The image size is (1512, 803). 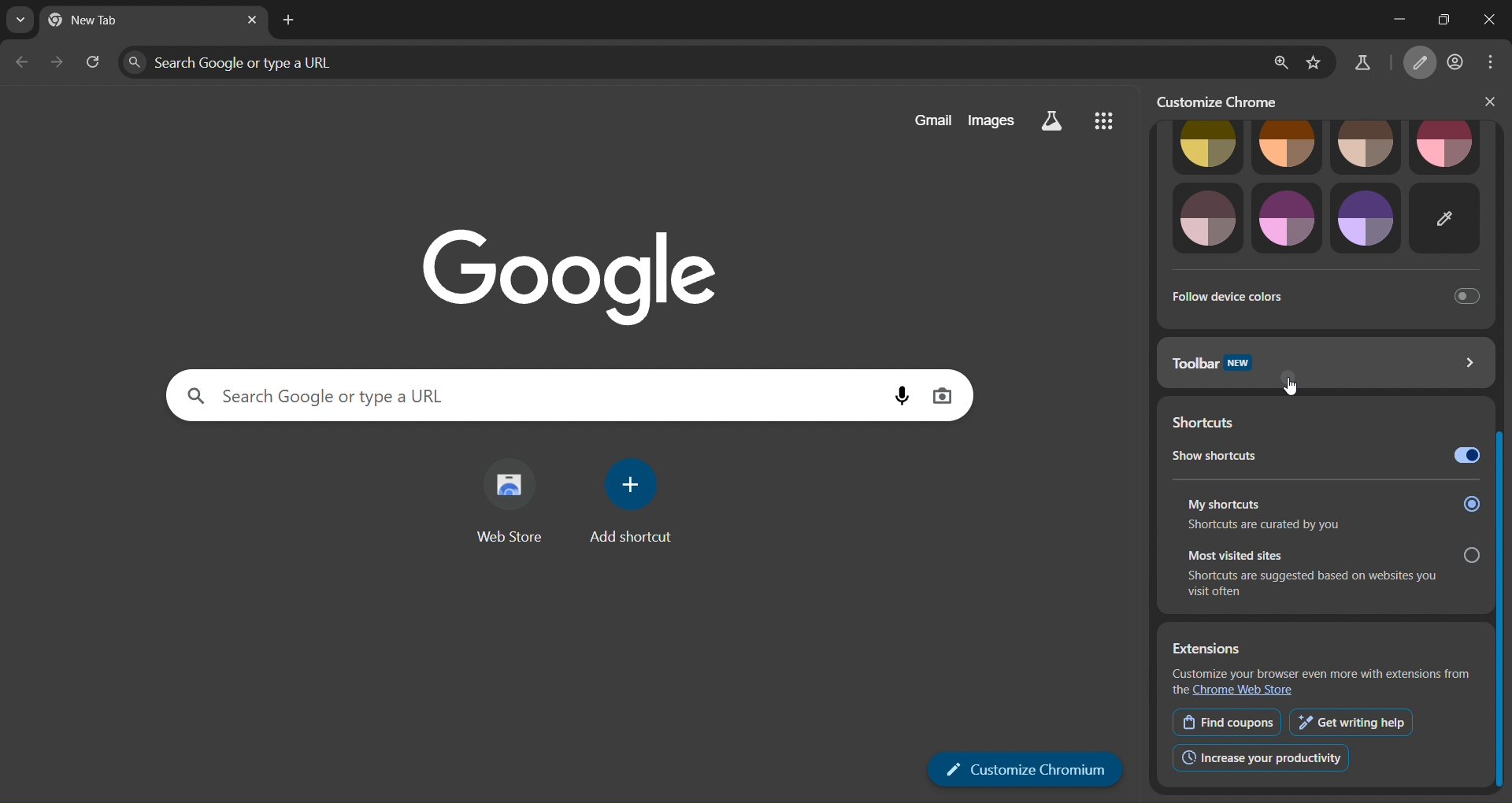 I want to click on find coupons, so click(x=1228, y=722).